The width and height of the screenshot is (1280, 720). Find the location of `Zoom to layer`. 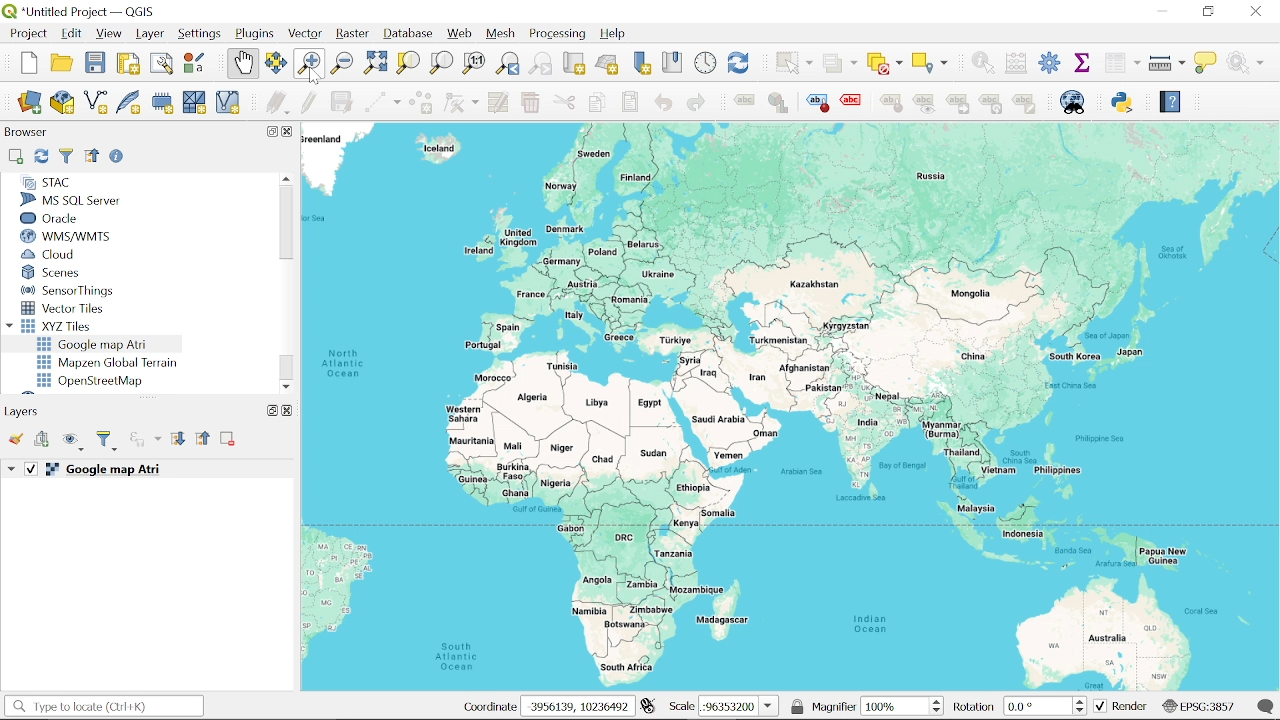

Zoom to layer is located at coordinates (442, 62).